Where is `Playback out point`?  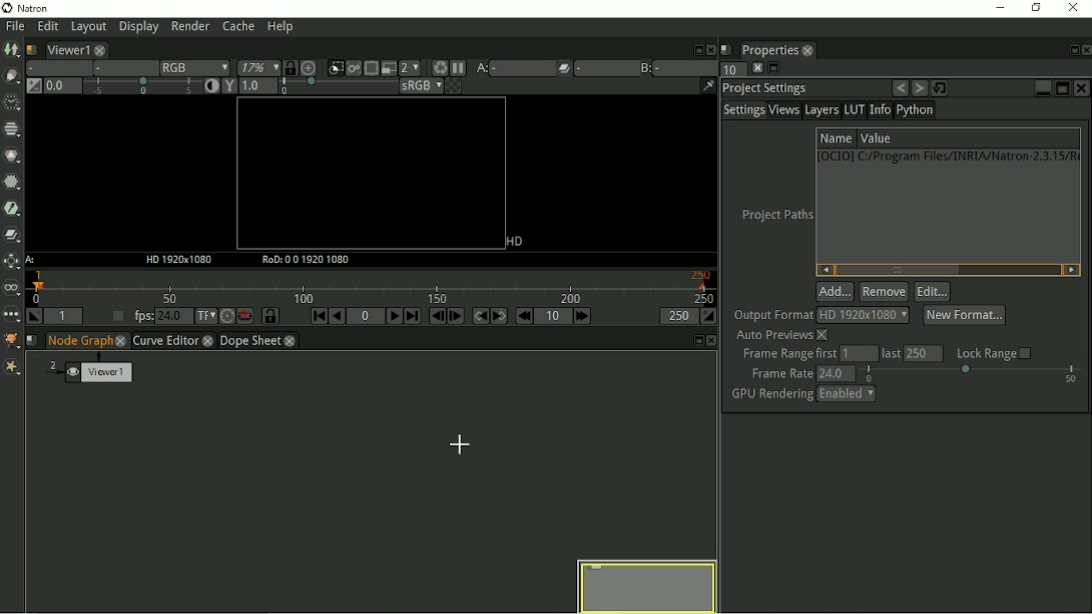
Playback out point is located at coordinates (680, 316).